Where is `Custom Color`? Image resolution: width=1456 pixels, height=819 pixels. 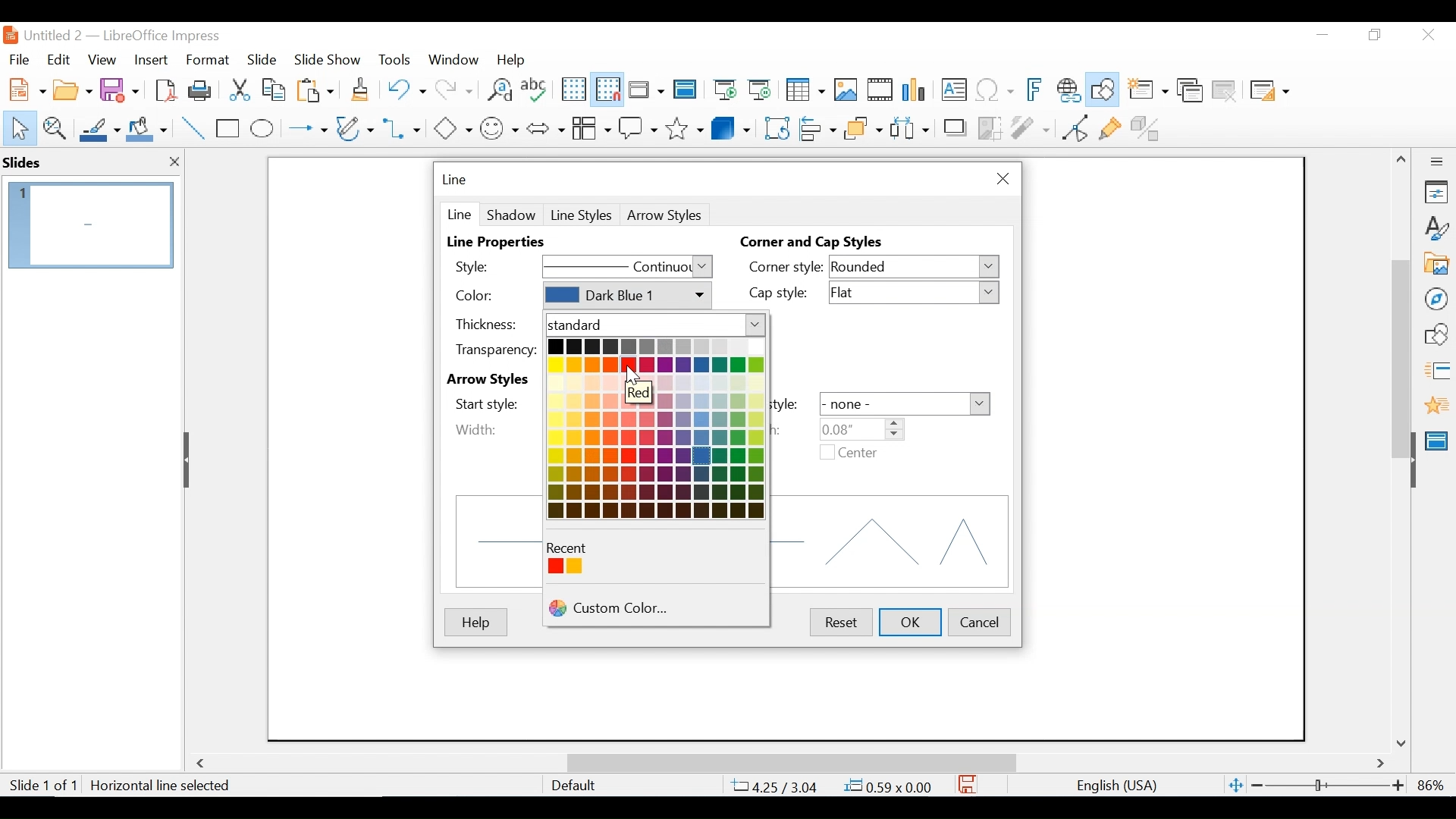 Custom Color is located at coordinates (656, 609).